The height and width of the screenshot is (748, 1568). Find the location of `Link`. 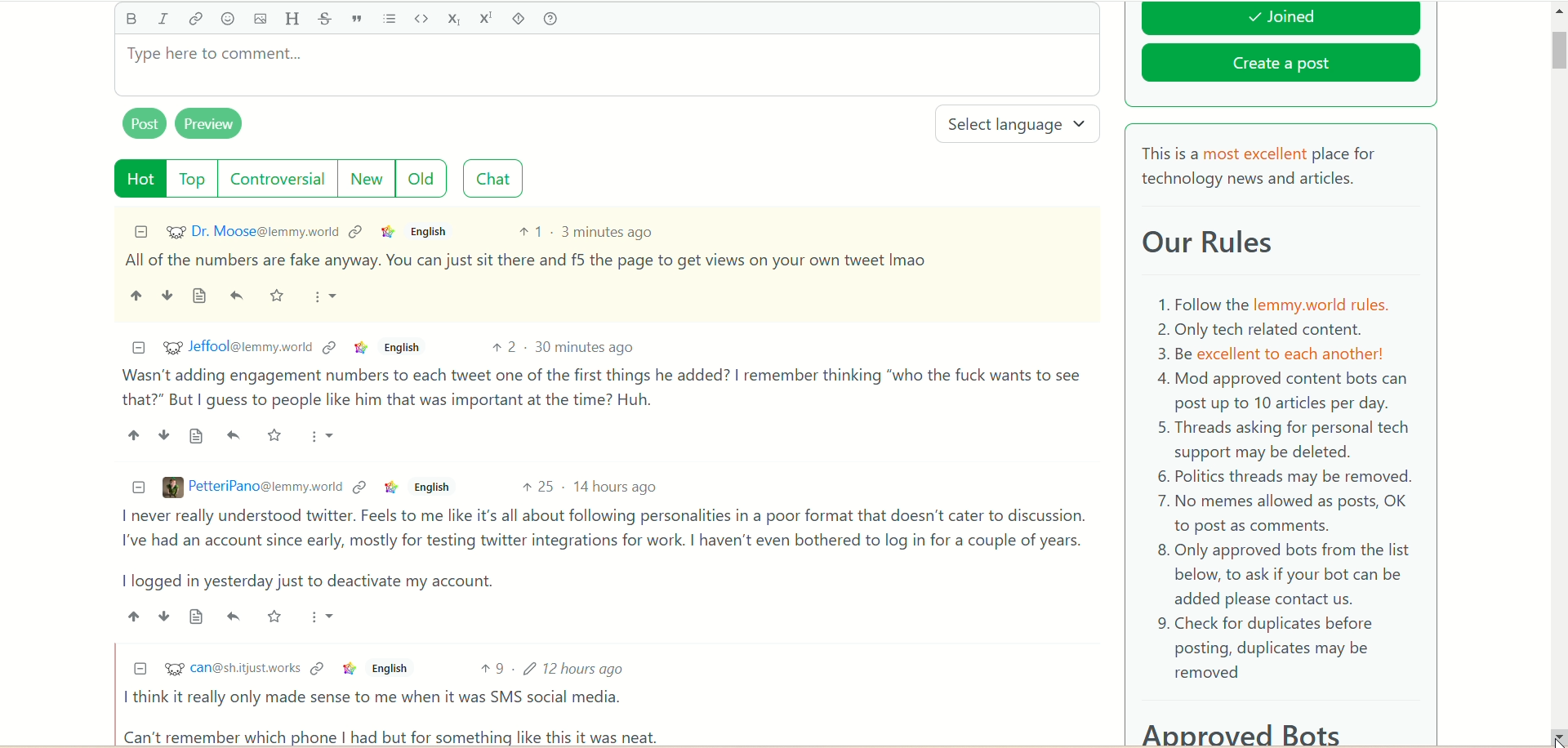

Link is located at coordinates (357, 231).